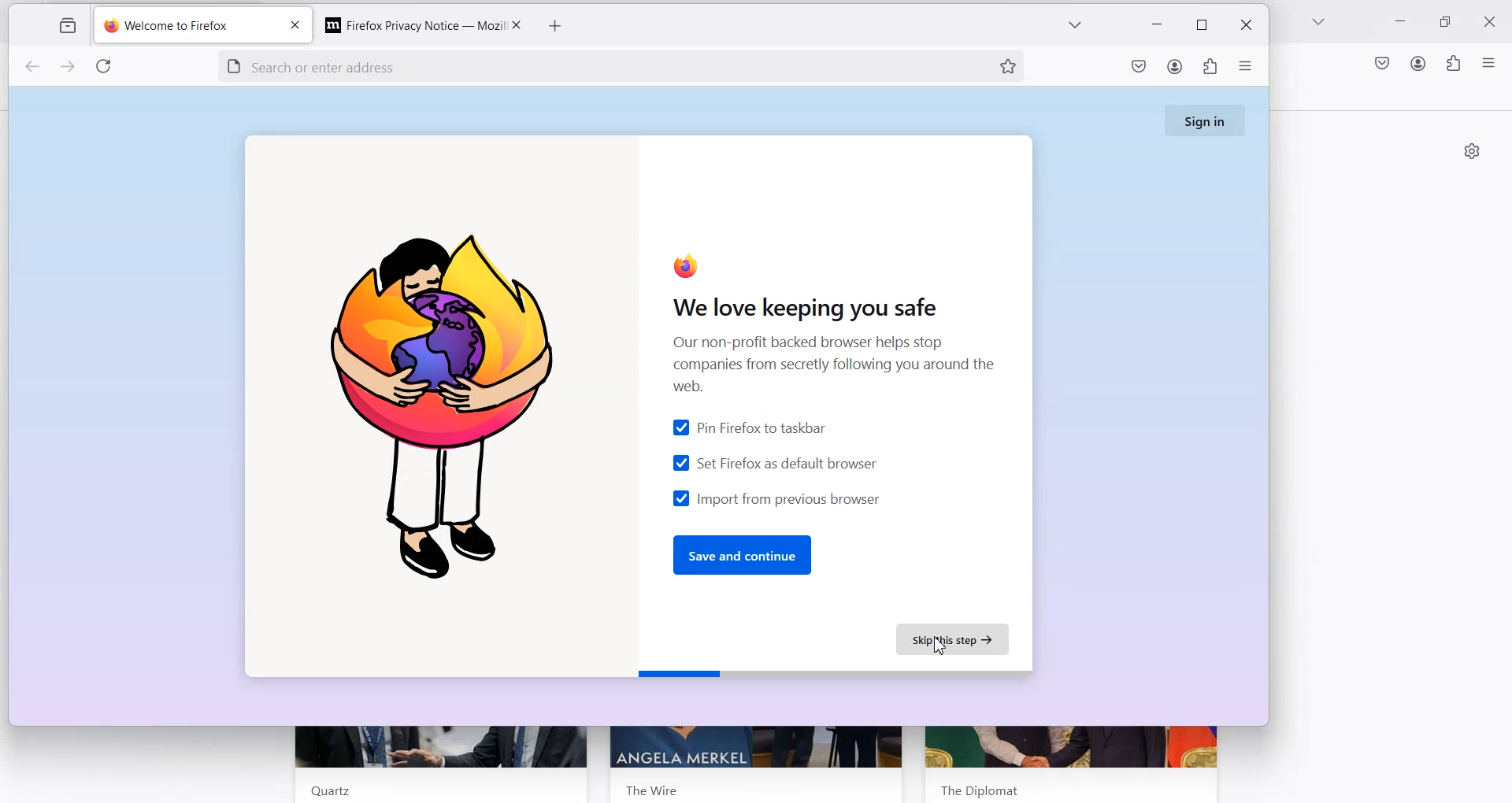 The width and height of the screenshot is (1512, 803). I want to click on Open Application menu, so click(1490, 62).